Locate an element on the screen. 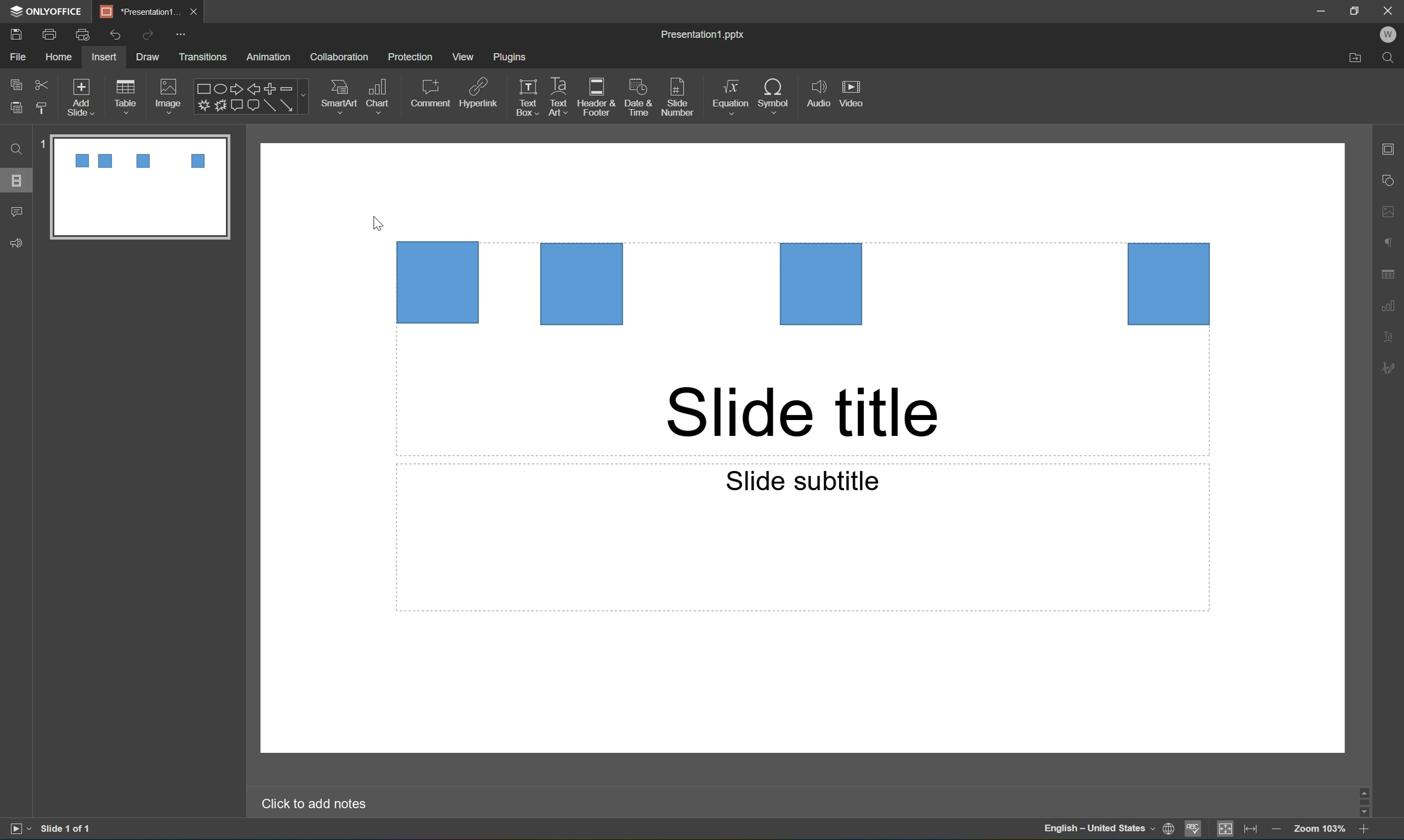 This screenshot has height=840, width=1404. feedback & support is located at coordinates (15, 243).